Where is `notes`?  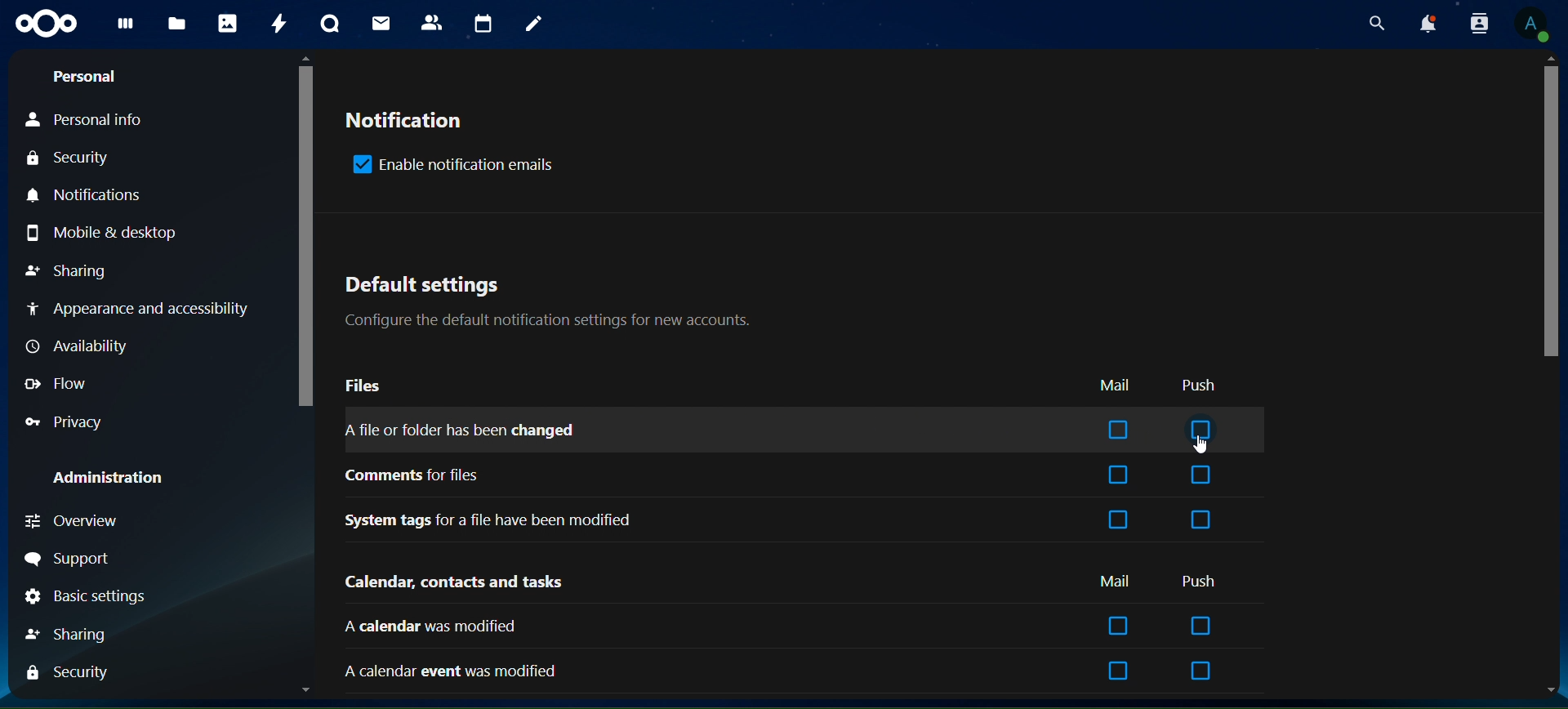
notes is located at coordinates (535, 24).